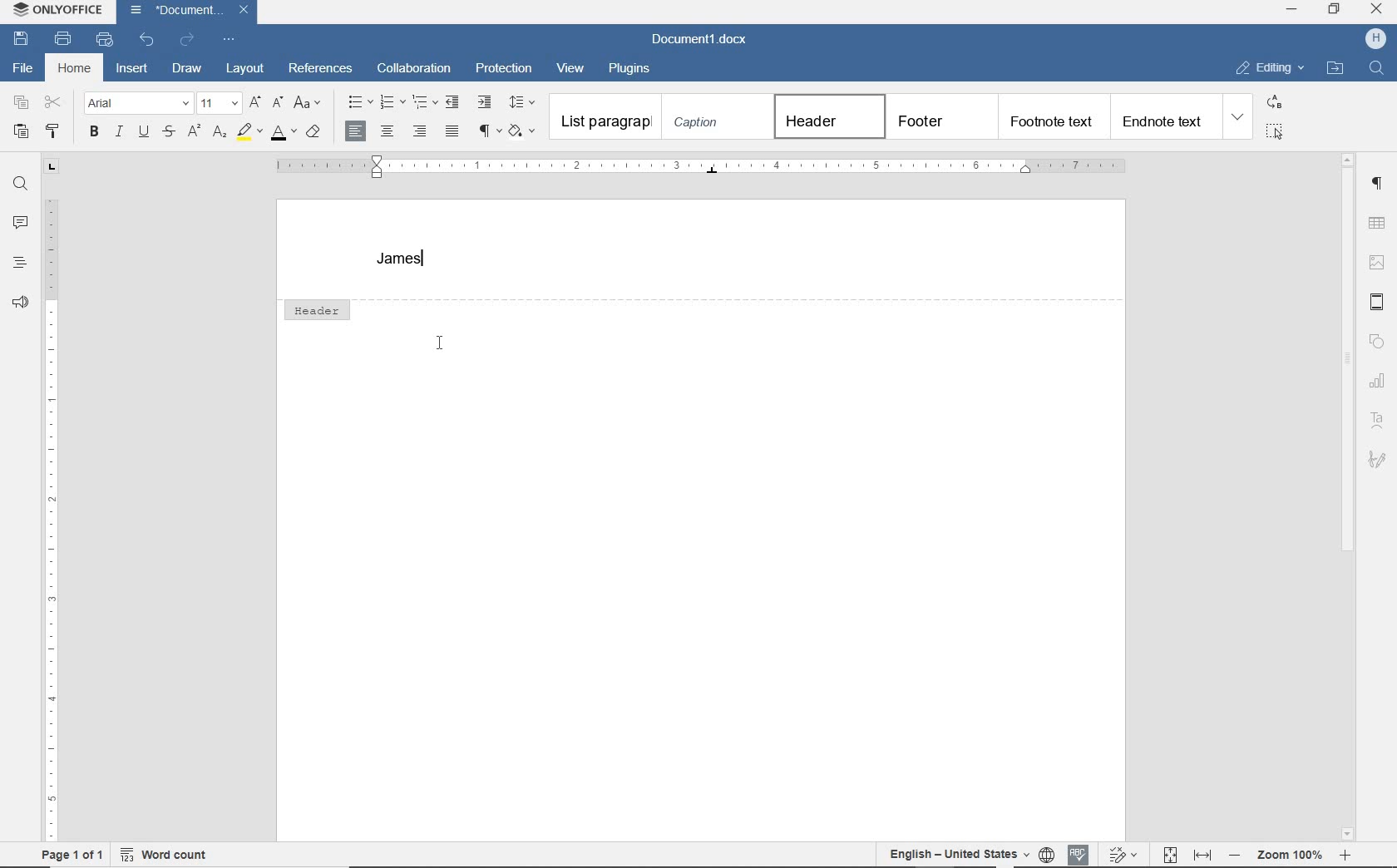 The image size is (1397, 868). Describe the element at coordinates (1376, 340) in the screenshot. I see `SHAPE` at that location.